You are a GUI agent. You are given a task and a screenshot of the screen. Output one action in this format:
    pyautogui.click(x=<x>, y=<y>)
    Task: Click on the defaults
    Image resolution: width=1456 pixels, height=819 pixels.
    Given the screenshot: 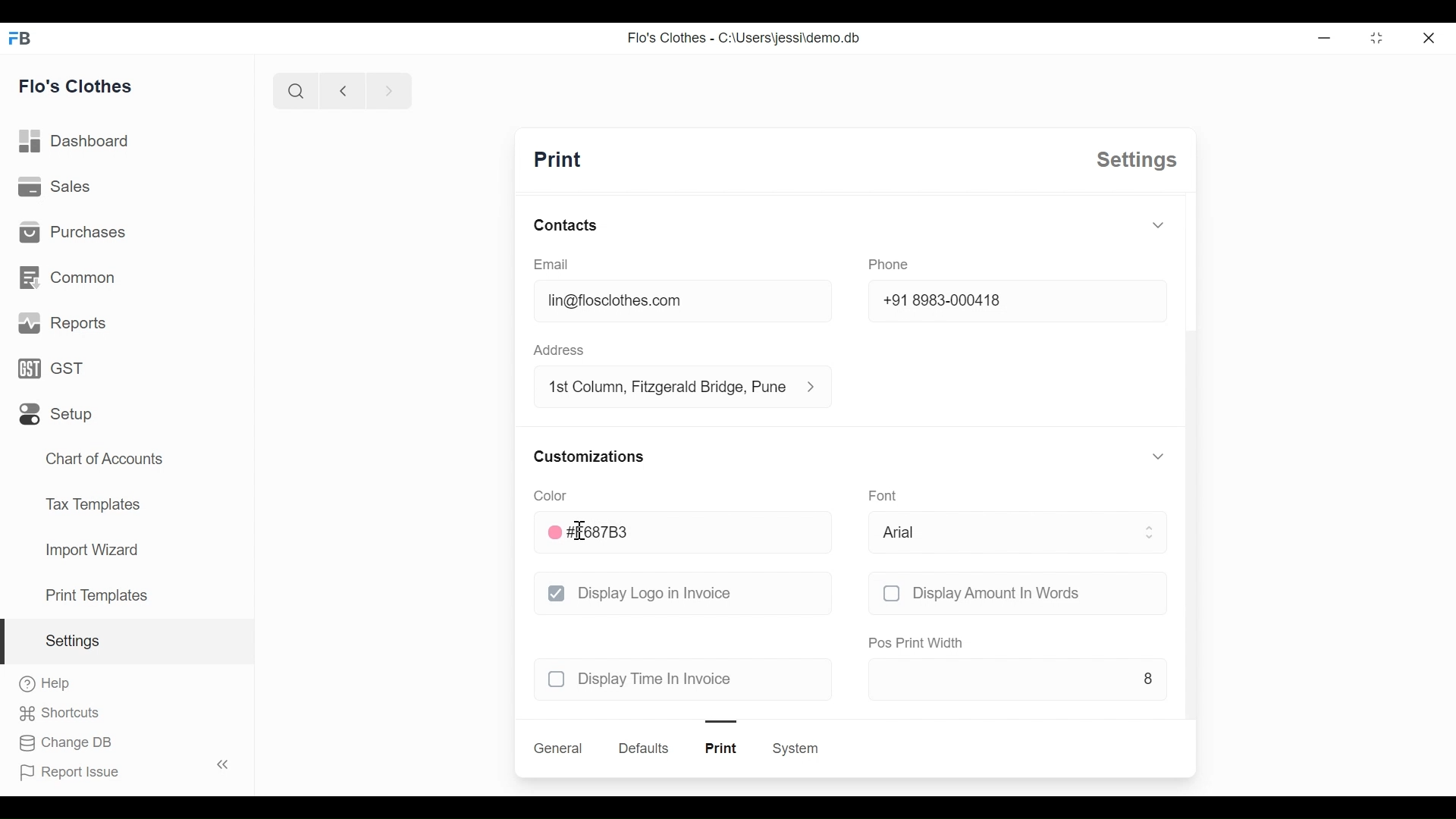 What is the action you would take?
    pyautogui.click(x=645, y=748)
    